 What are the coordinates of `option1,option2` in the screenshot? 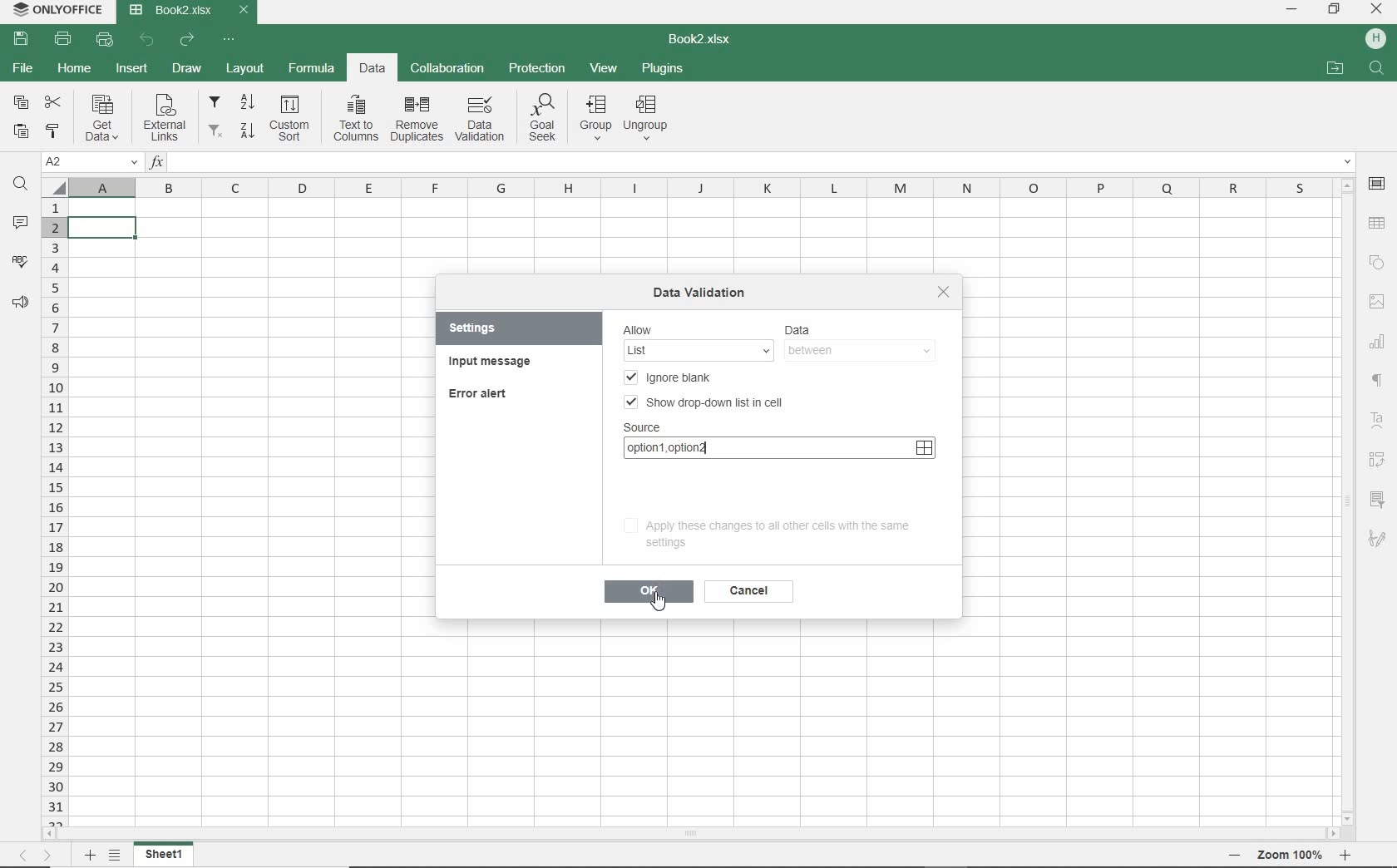 It's located at (684, 448).